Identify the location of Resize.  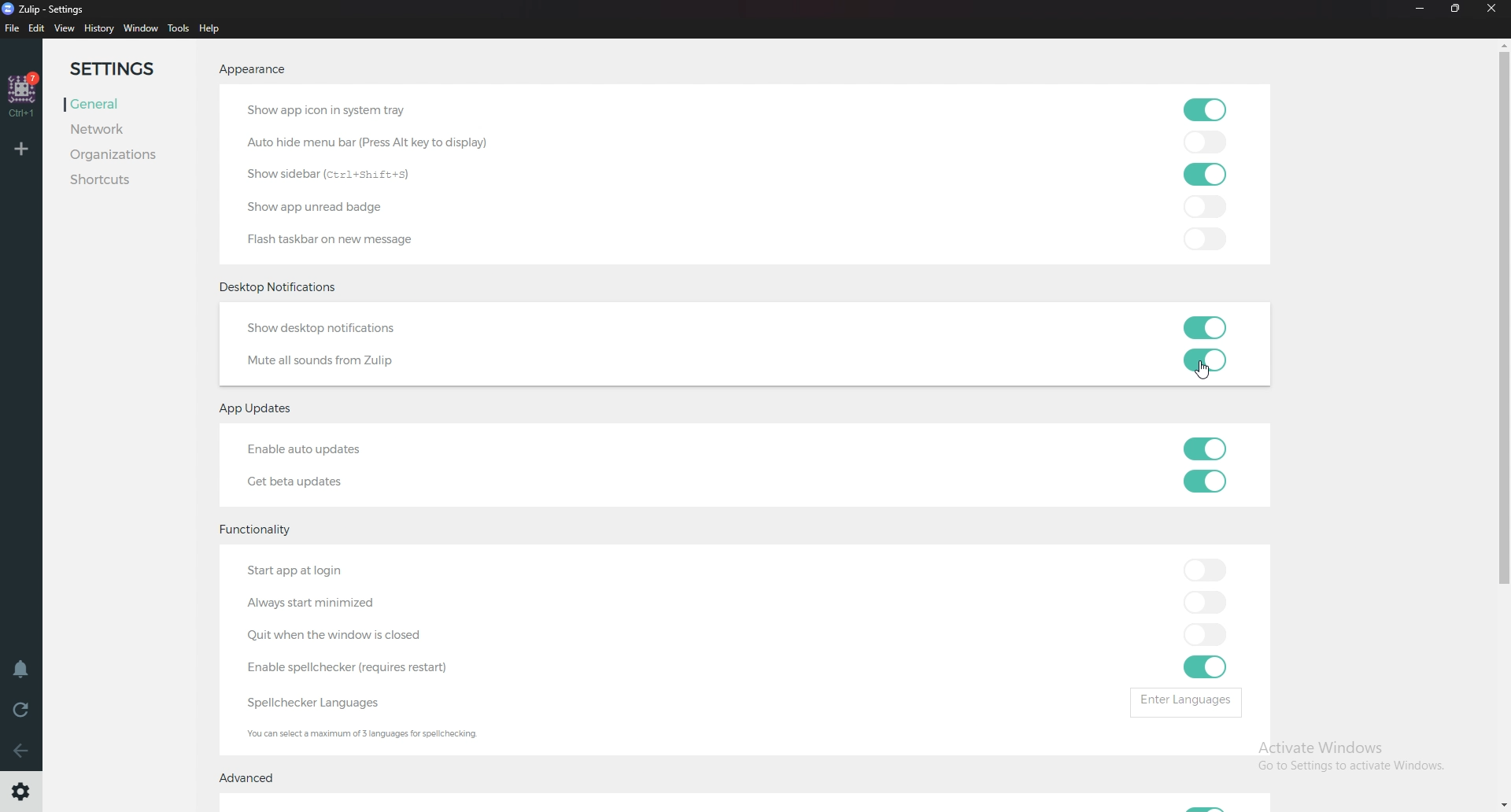
(1456, 9).